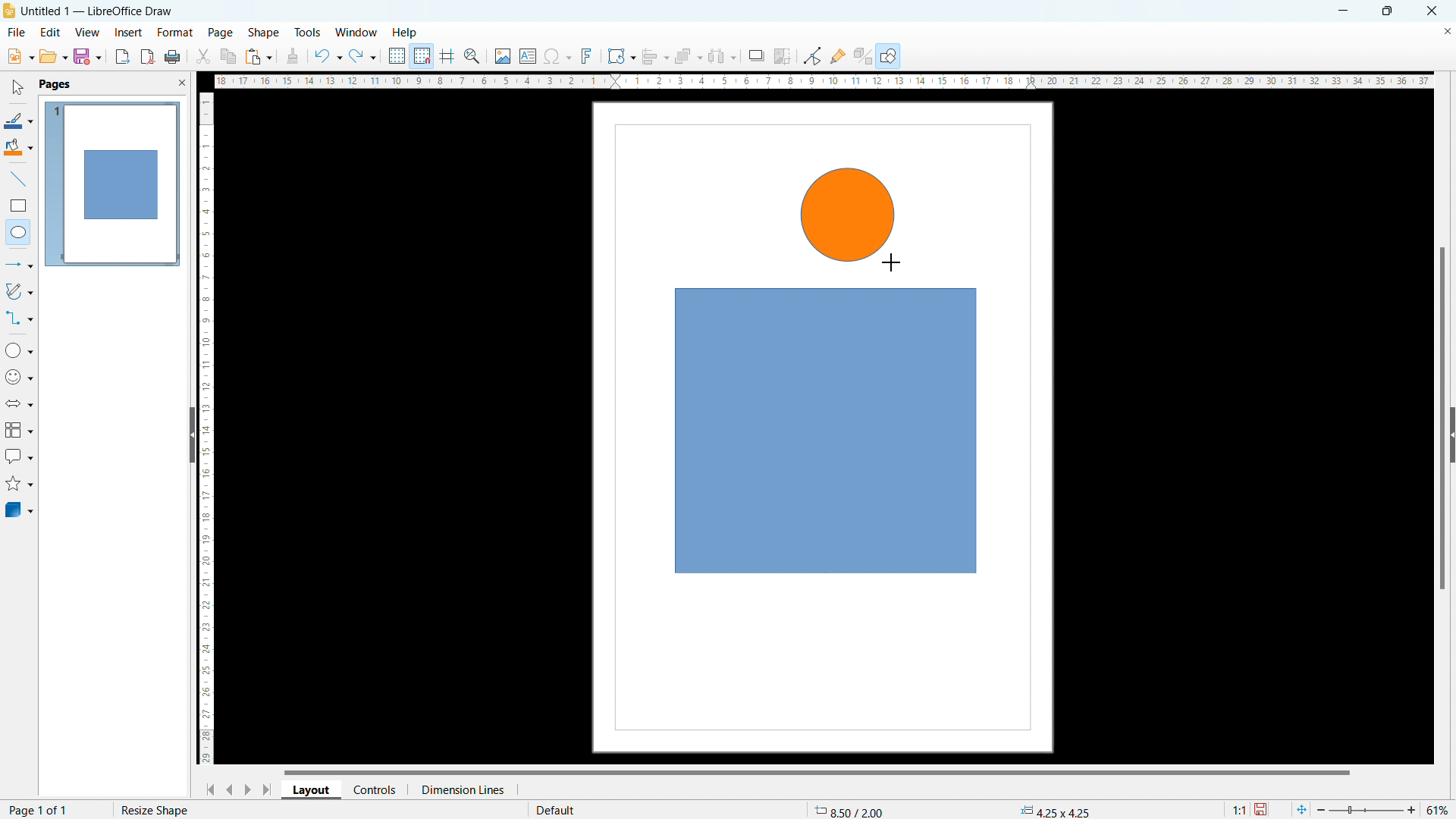 This screenshot has width=1456, height=819. What do you see at coordinates (206, 428) in the screenshot?
I see `vertical ruler` at bounding box center [206, 428].